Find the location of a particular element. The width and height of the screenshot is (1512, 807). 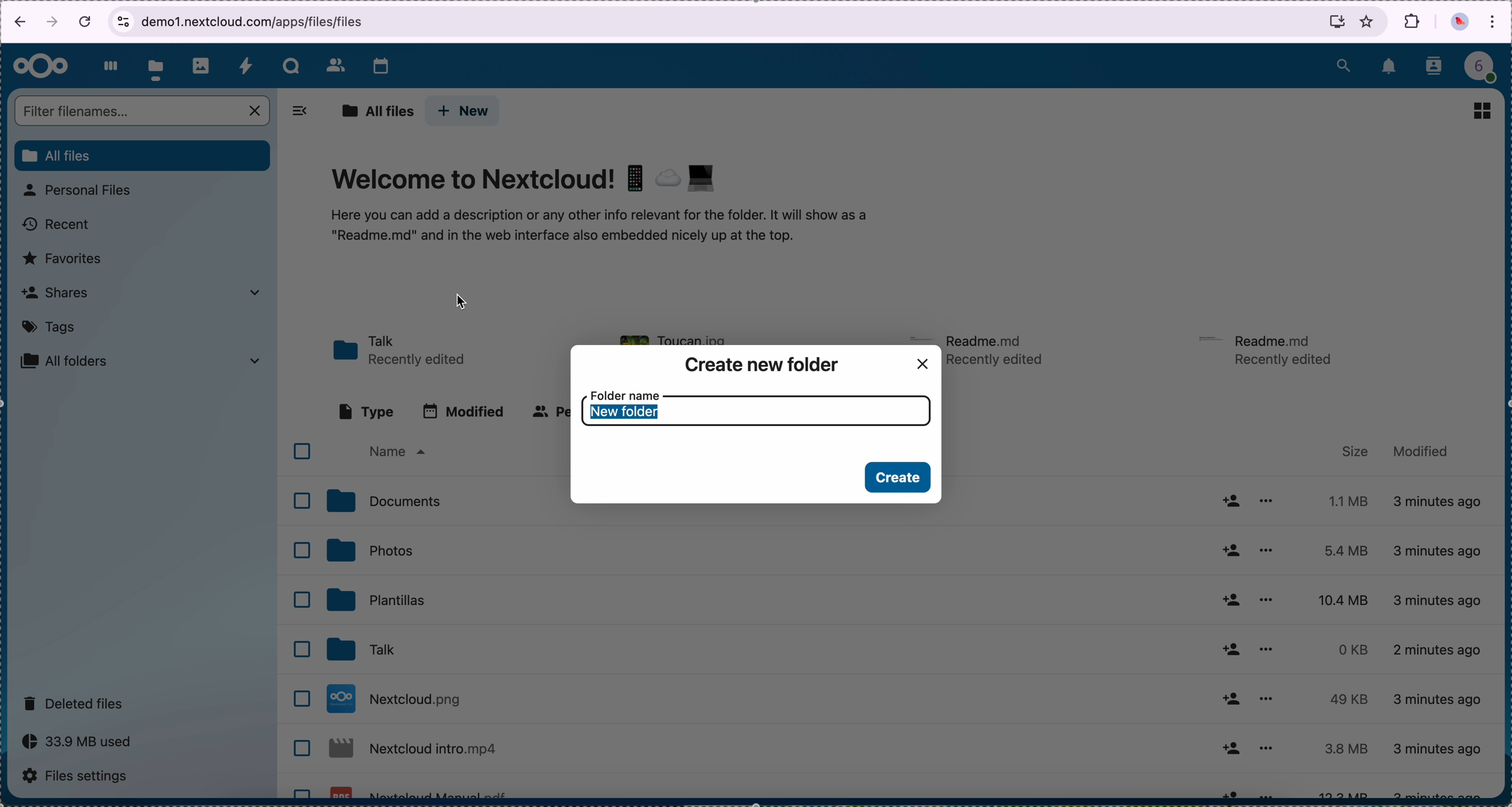

personal files is located at coordinates (81, 190).